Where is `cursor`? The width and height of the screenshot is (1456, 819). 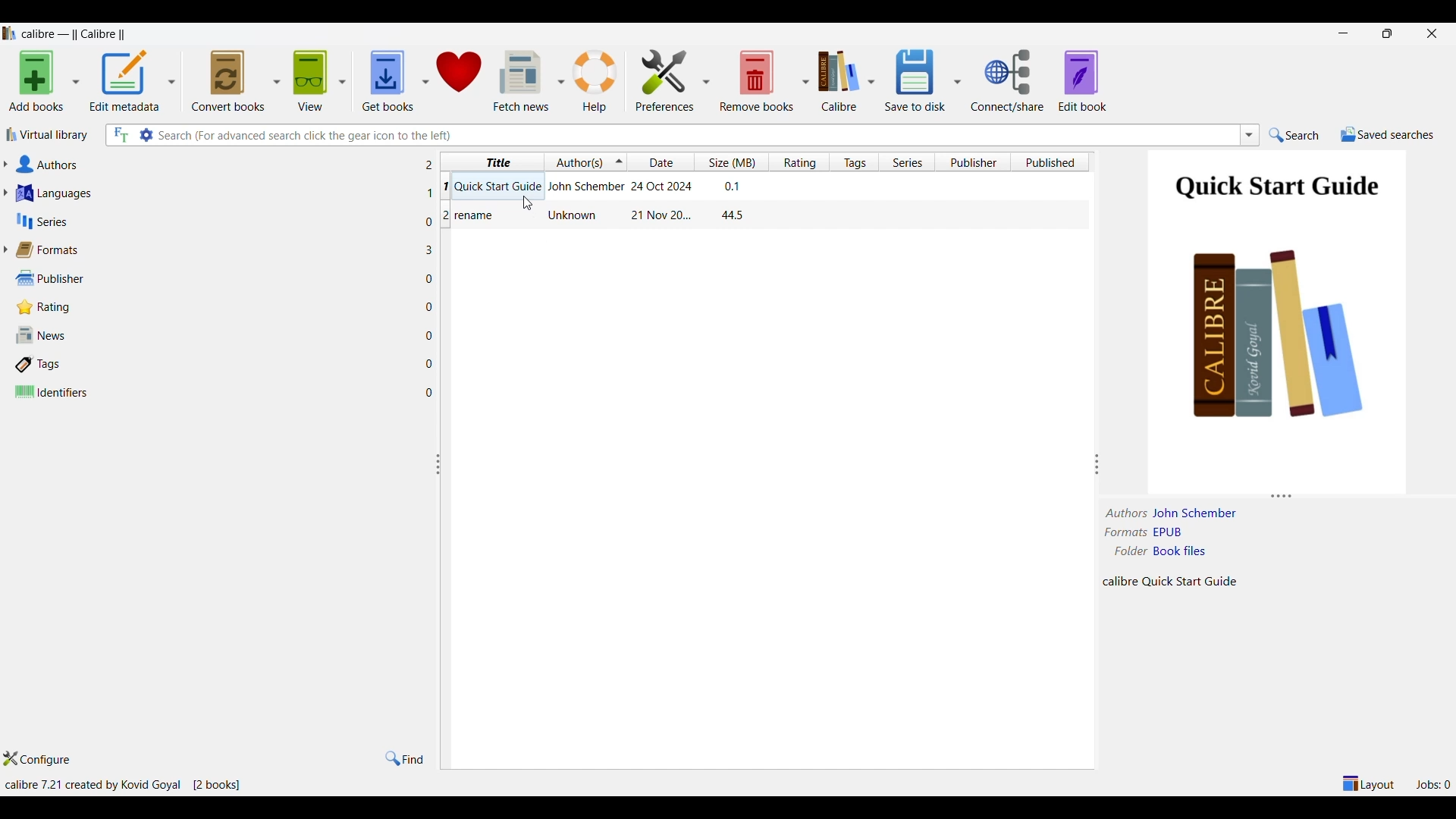 cursor is located at coordinates (529, 204).